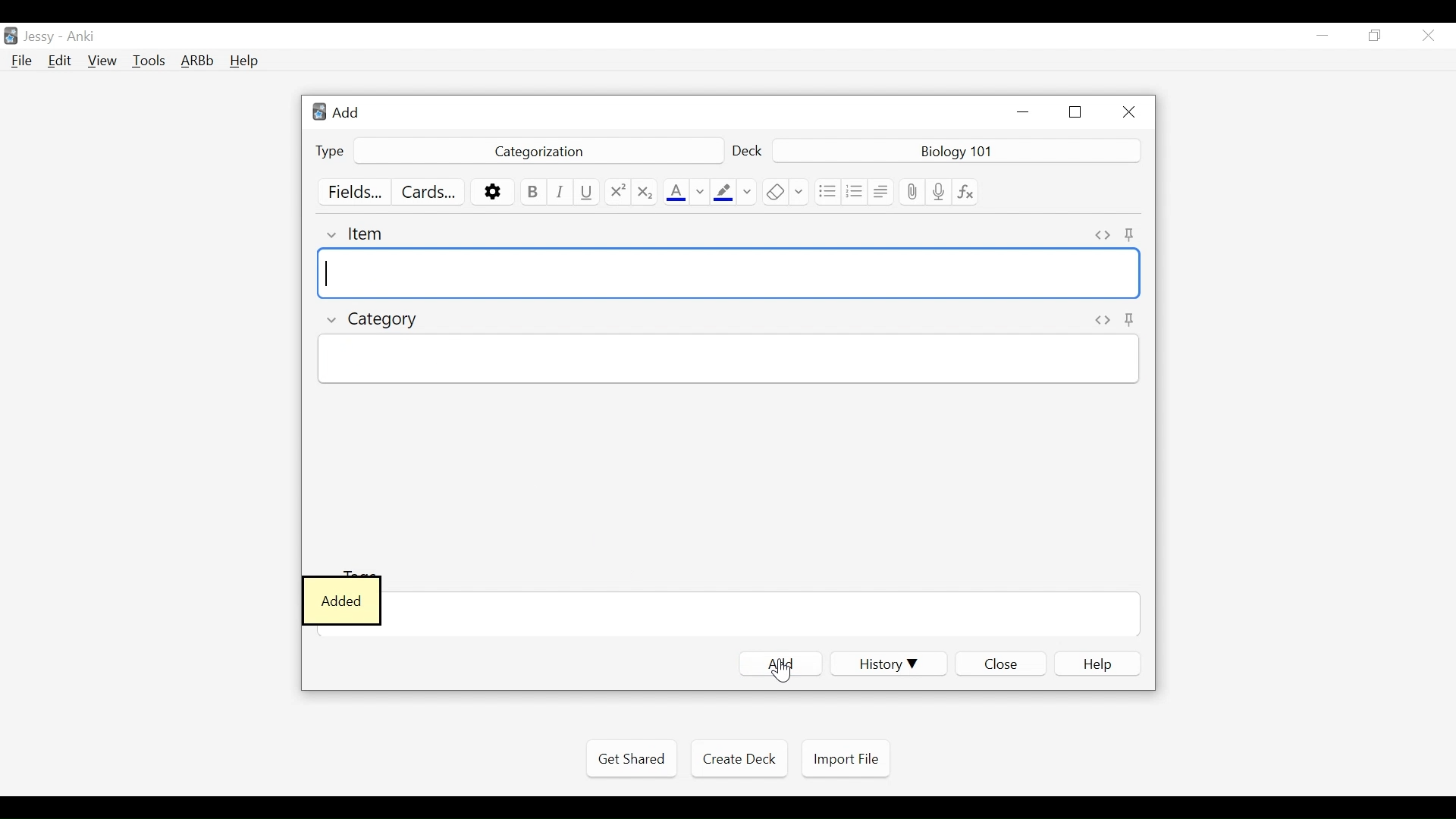  I want to click on Restore, so click(1076, 112).